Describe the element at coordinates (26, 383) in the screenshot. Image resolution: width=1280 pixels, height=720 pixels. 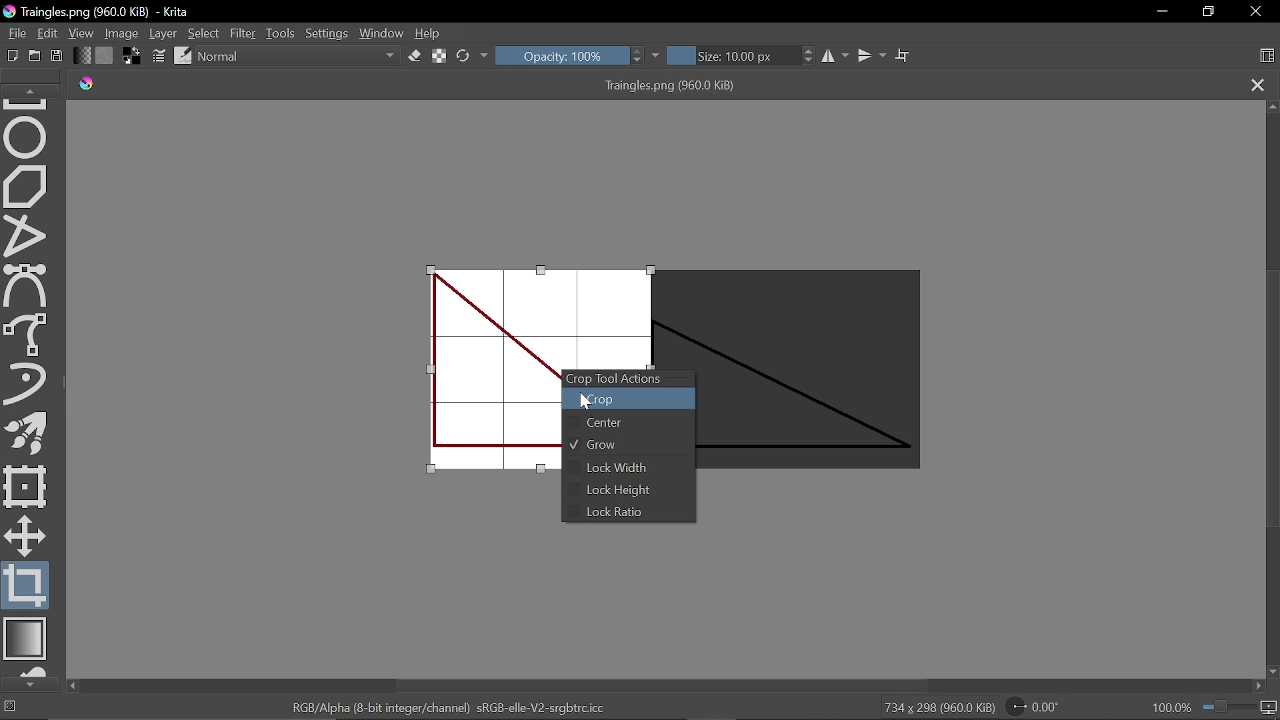
I see `Dynamic brush tool` at that location.